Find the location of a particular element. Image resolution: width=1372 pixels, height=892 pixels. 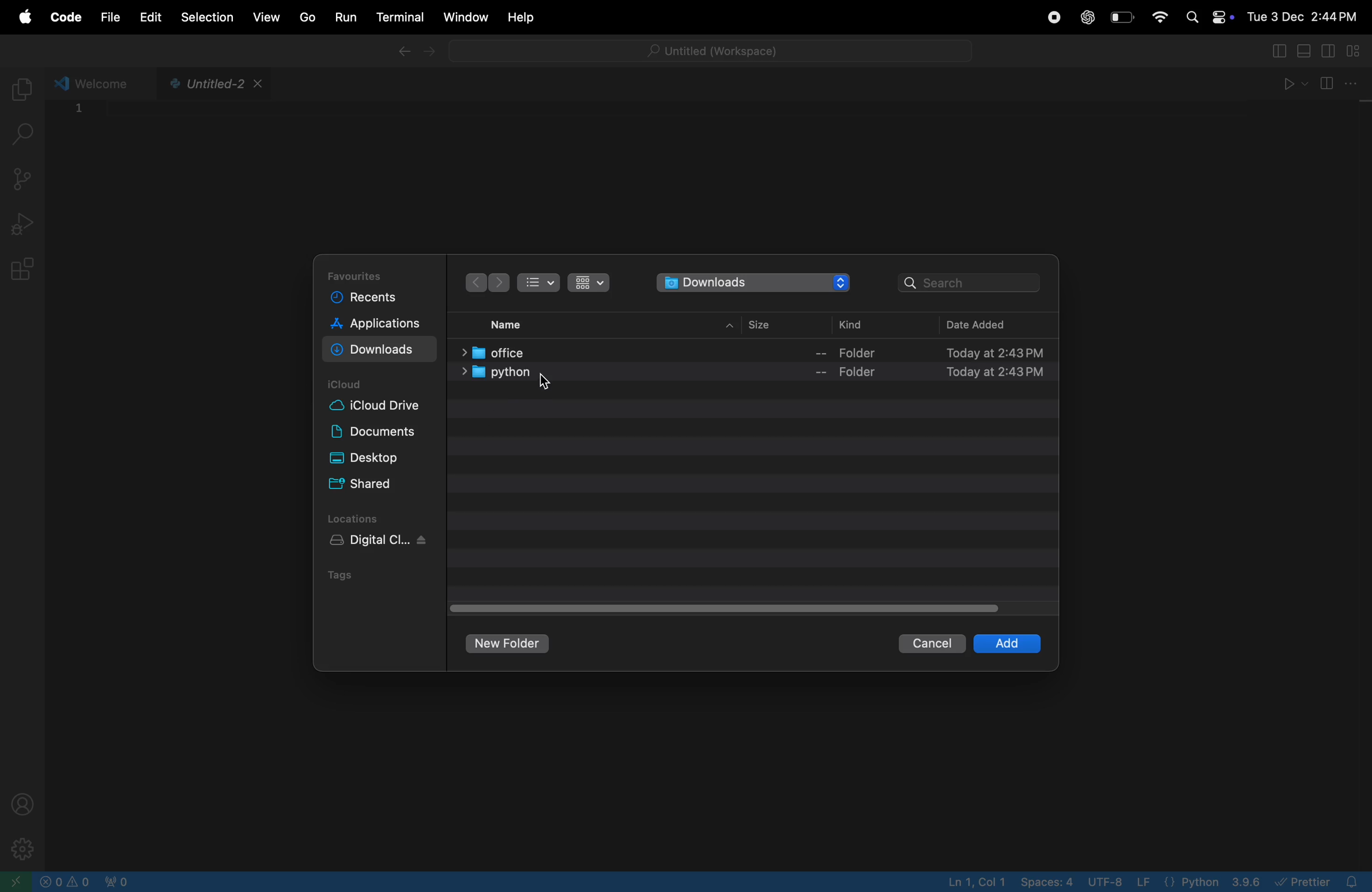

cursor is located at coordinates (549, 385).